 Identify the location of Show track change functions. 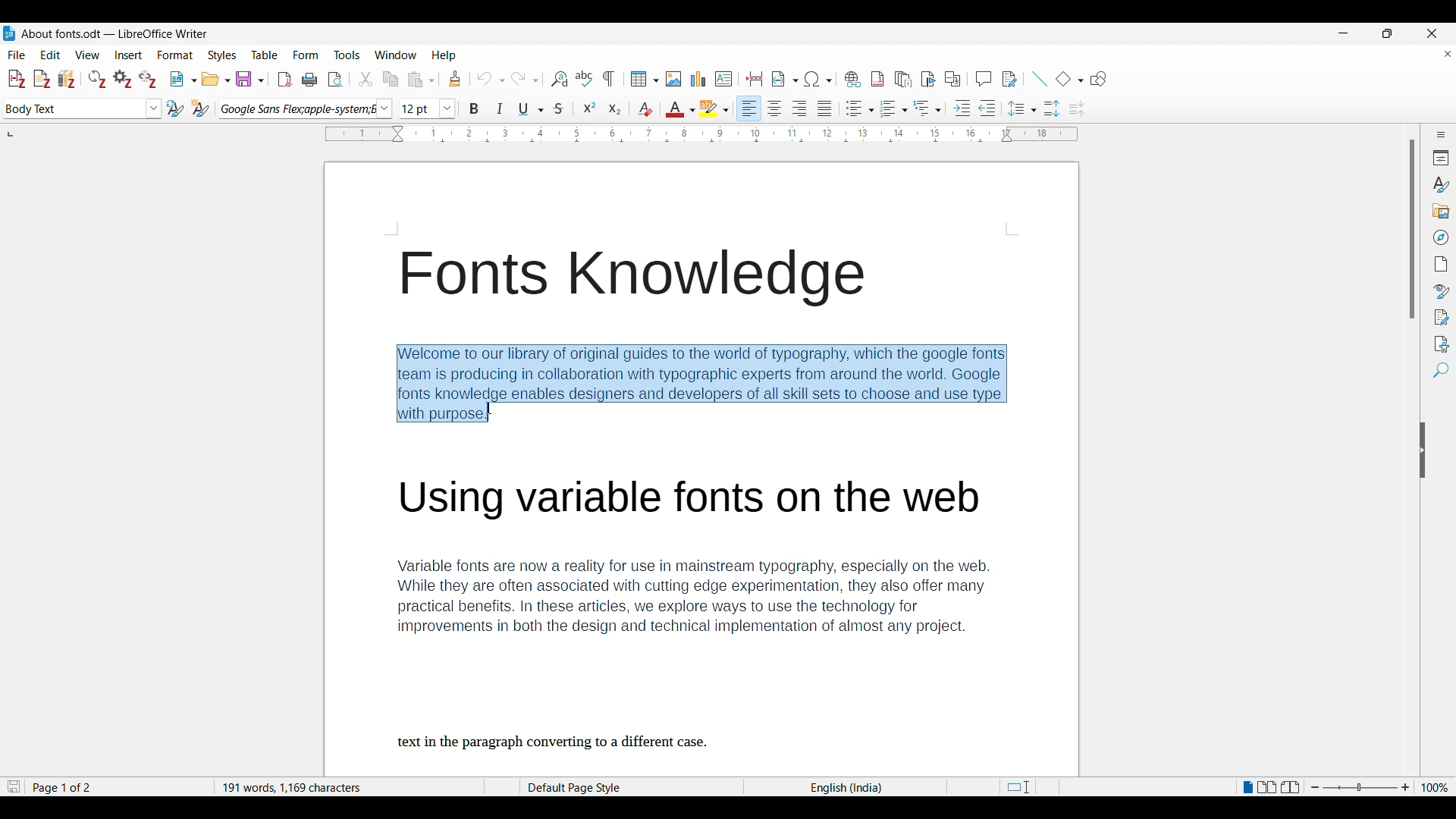
(1010, 80).